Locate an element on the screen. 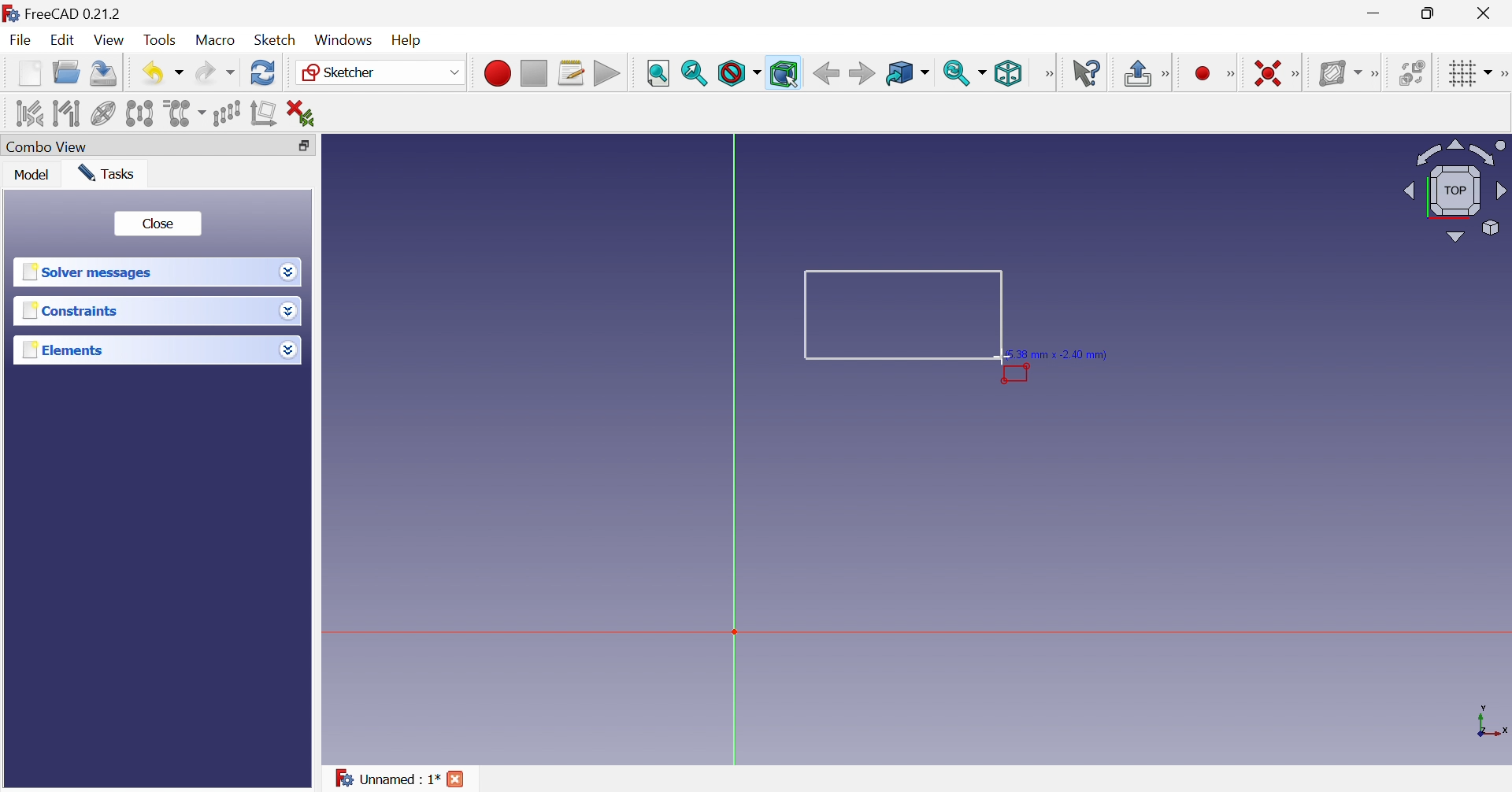  Draw style is located at coordinates (739, 72).